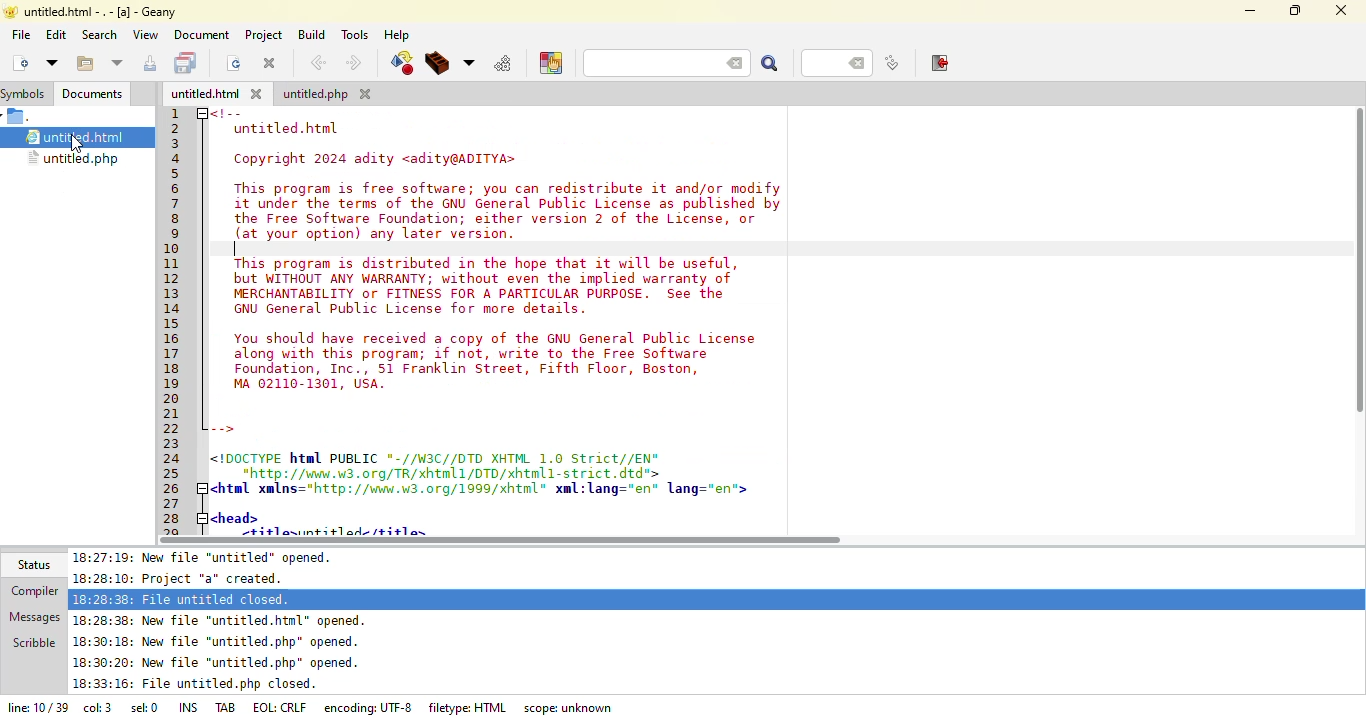  What do you see at coordinates (937, 62) in the screenshot?
I see `exit` at bounding box center [937, 62].